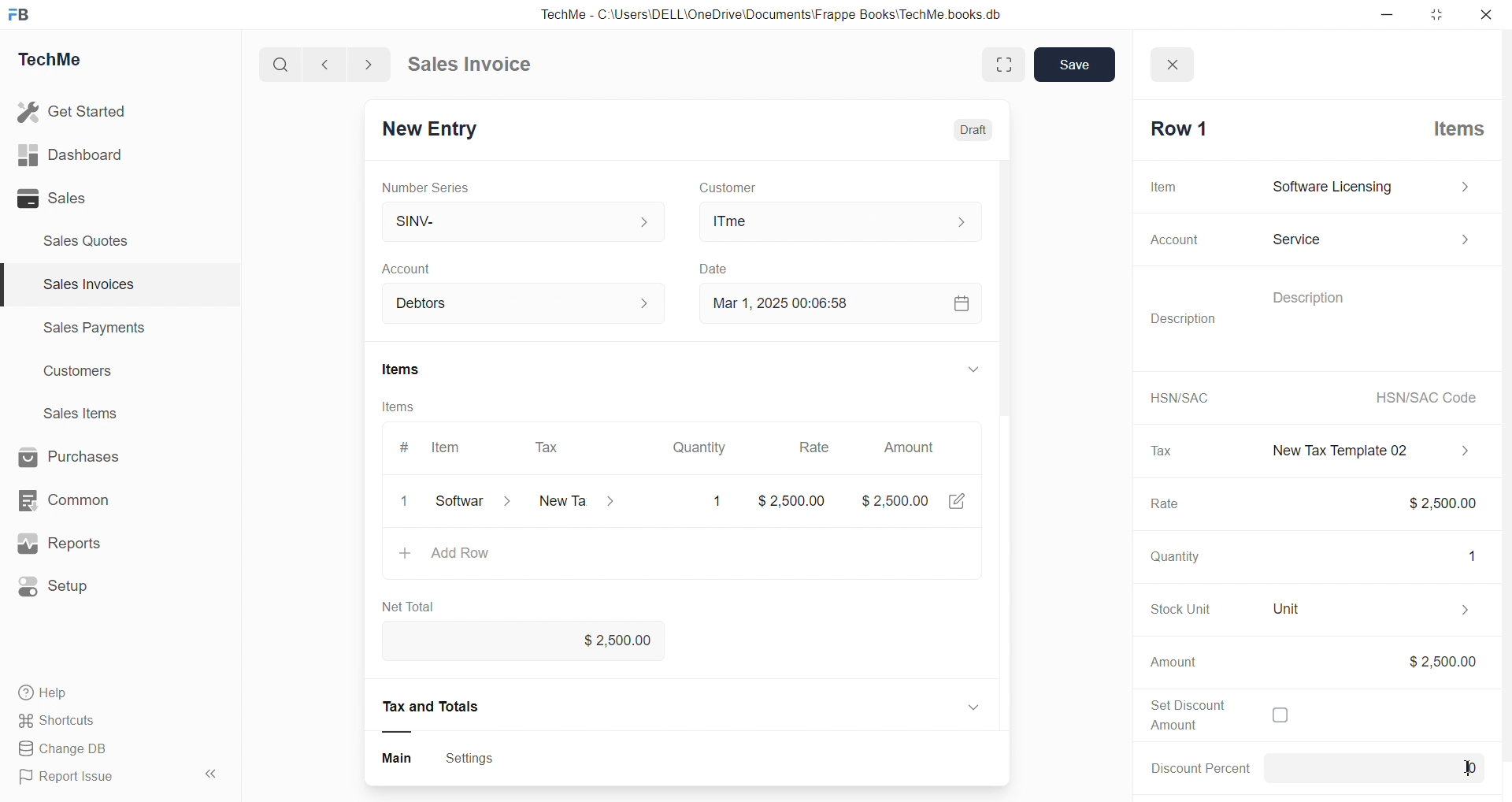 The height and width of the screenshot is (802, 1512). I want to click on Settings, so click(476, 757).